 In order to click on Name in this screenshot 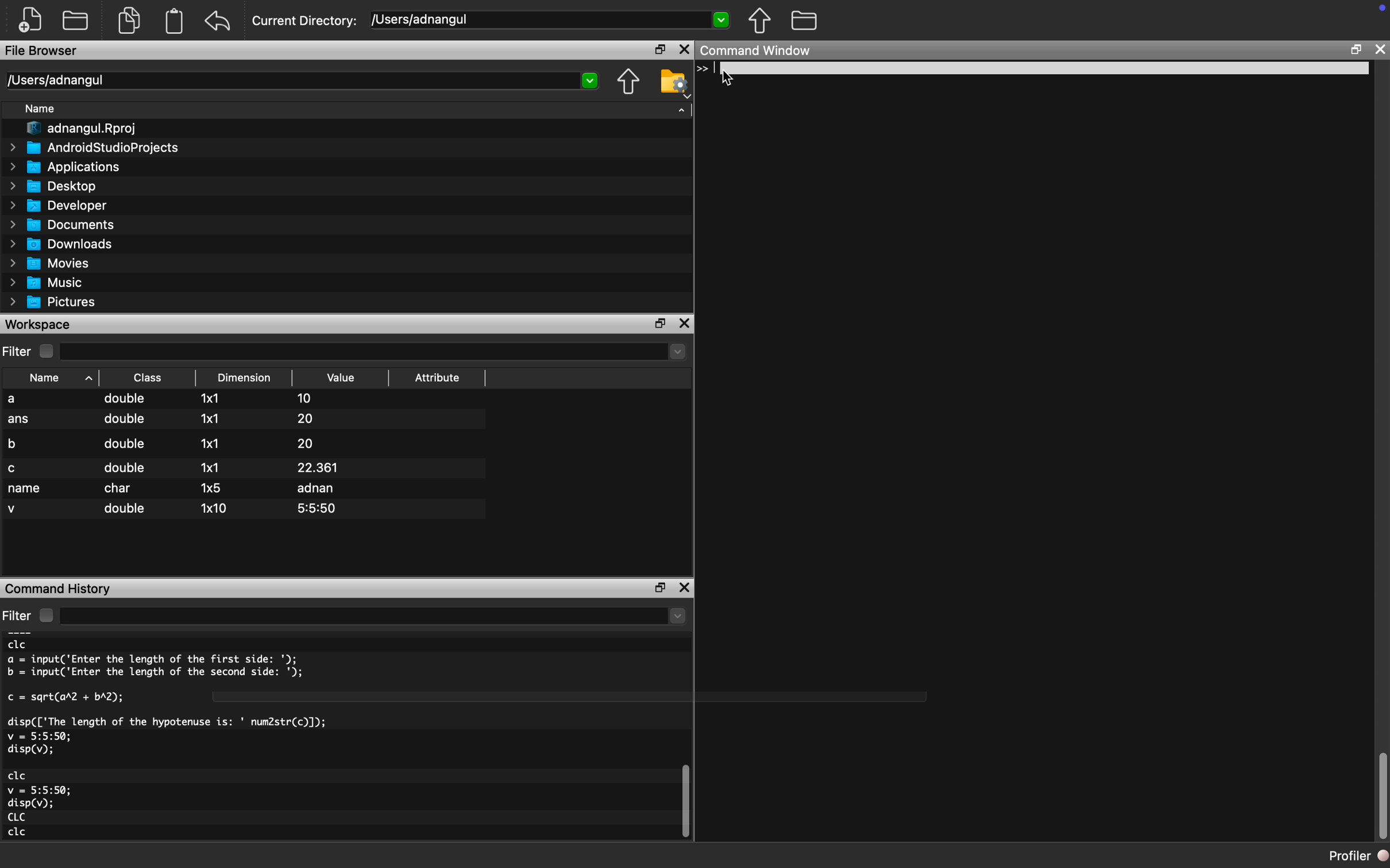, I will do `click(53, 375)`.